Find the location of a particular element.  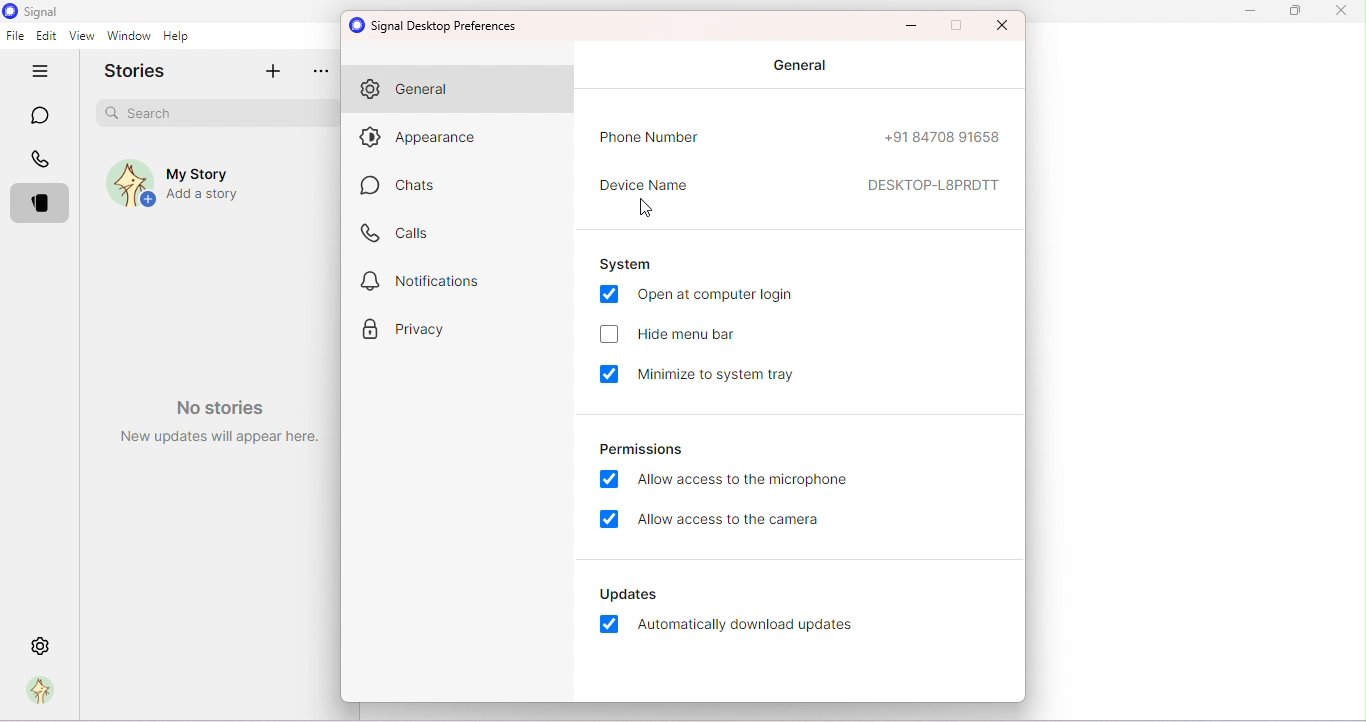

Stories is located at coordinates (40, 208).